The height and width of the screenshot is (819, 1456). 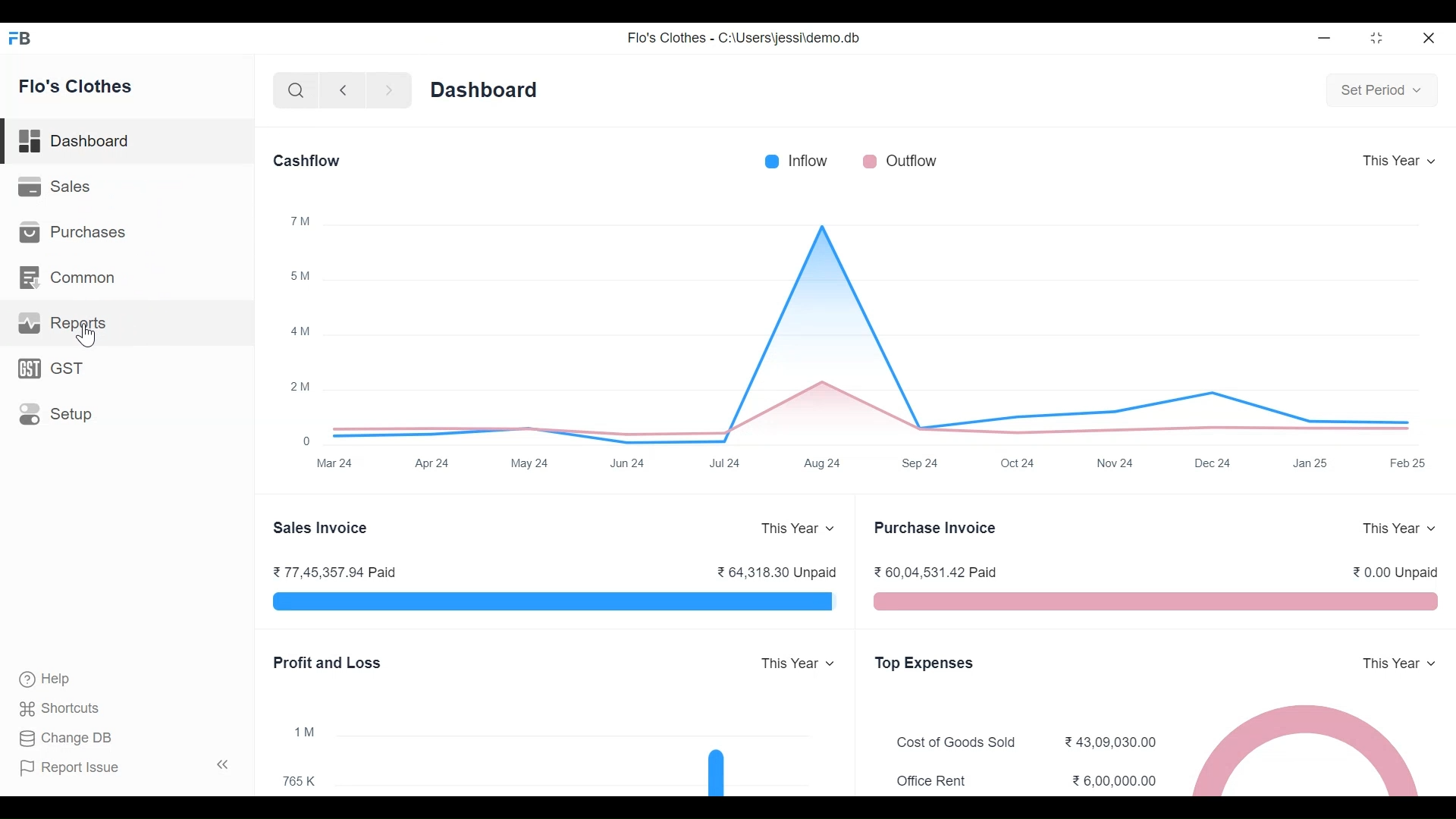 I want to click on Dec 24, so click(x=1212, y=462).